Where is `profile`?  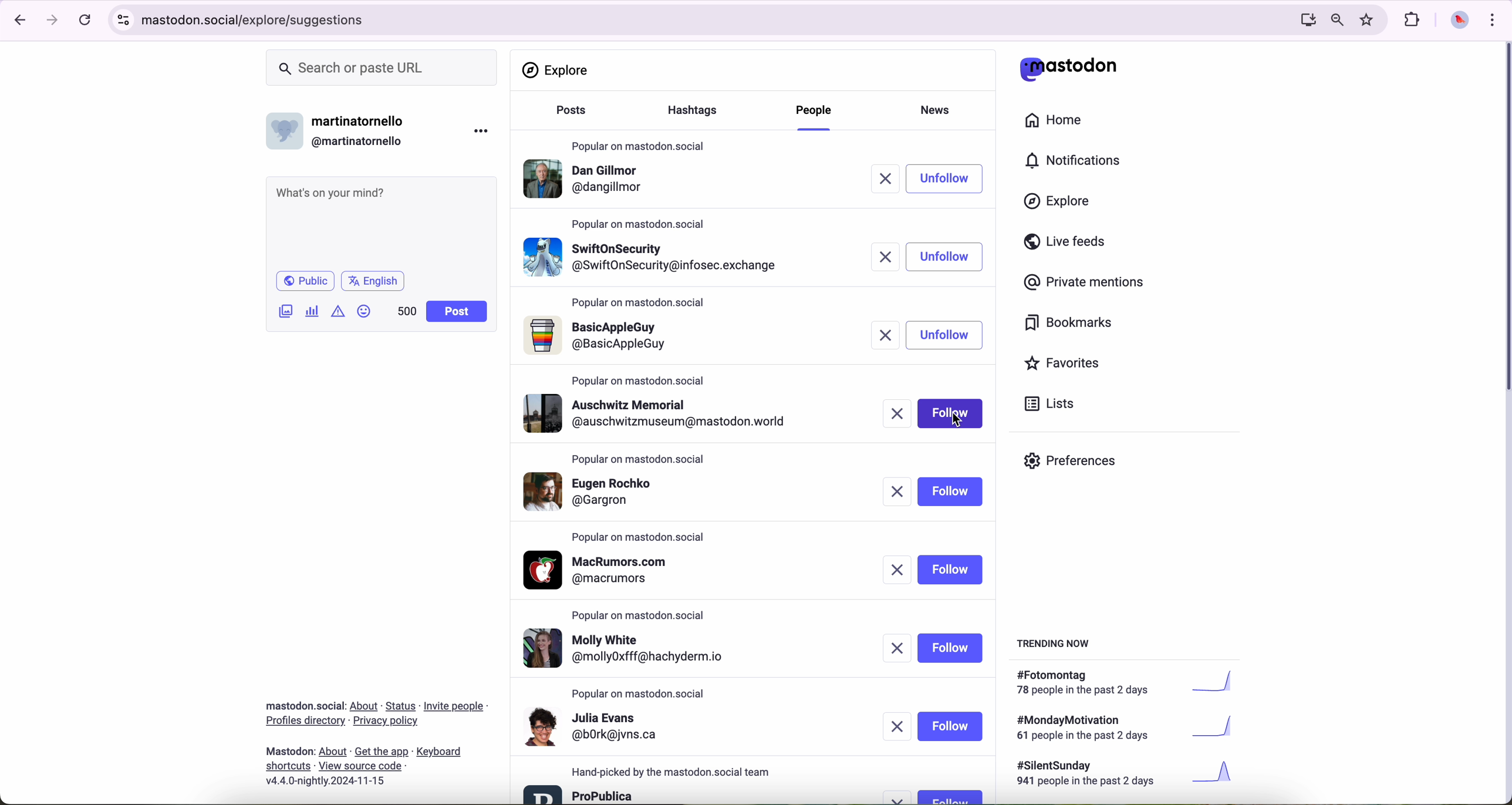
profile is located at coordinates (603, 490).